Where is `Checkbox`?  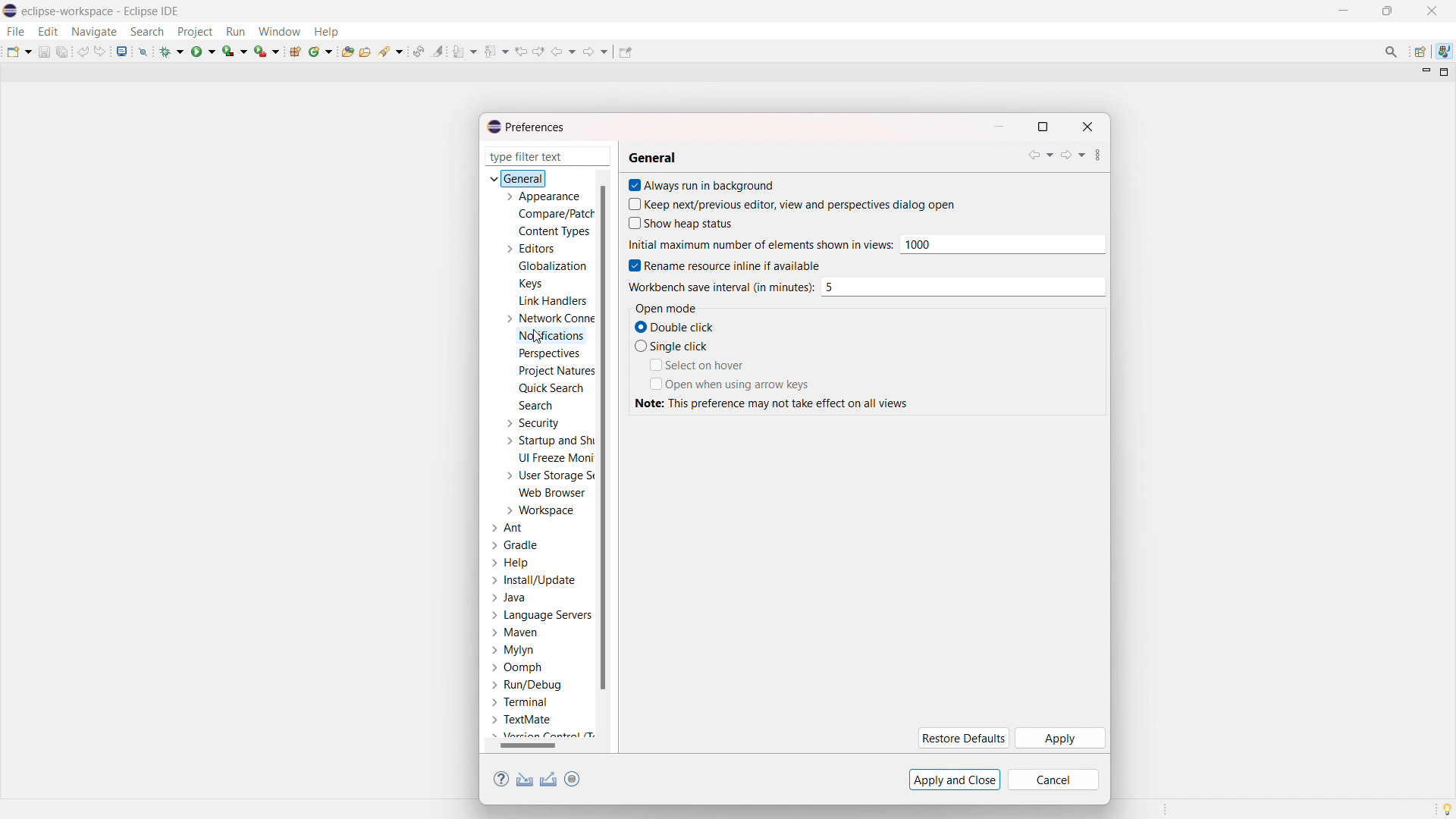 Checkbox is located at coordinates (631, 265).